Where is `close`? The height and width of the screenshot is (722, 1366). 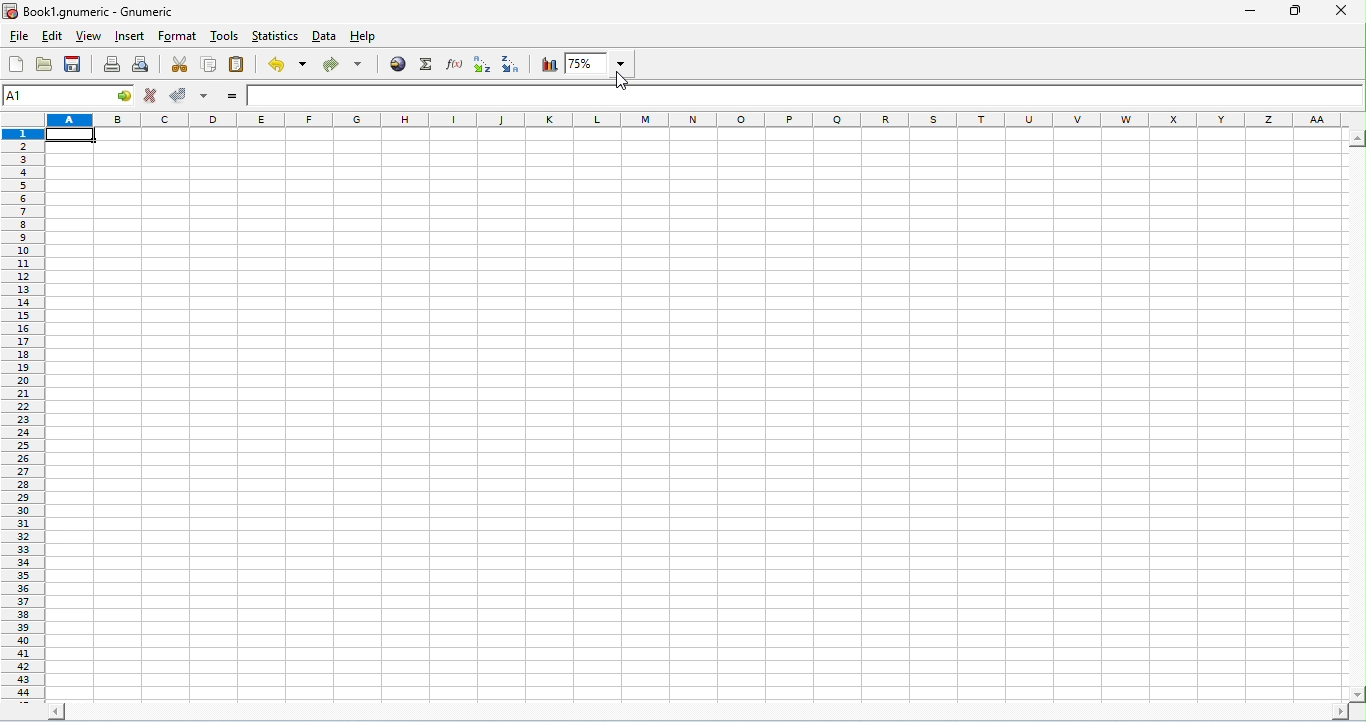 close is located at coordinates (1339, 10).